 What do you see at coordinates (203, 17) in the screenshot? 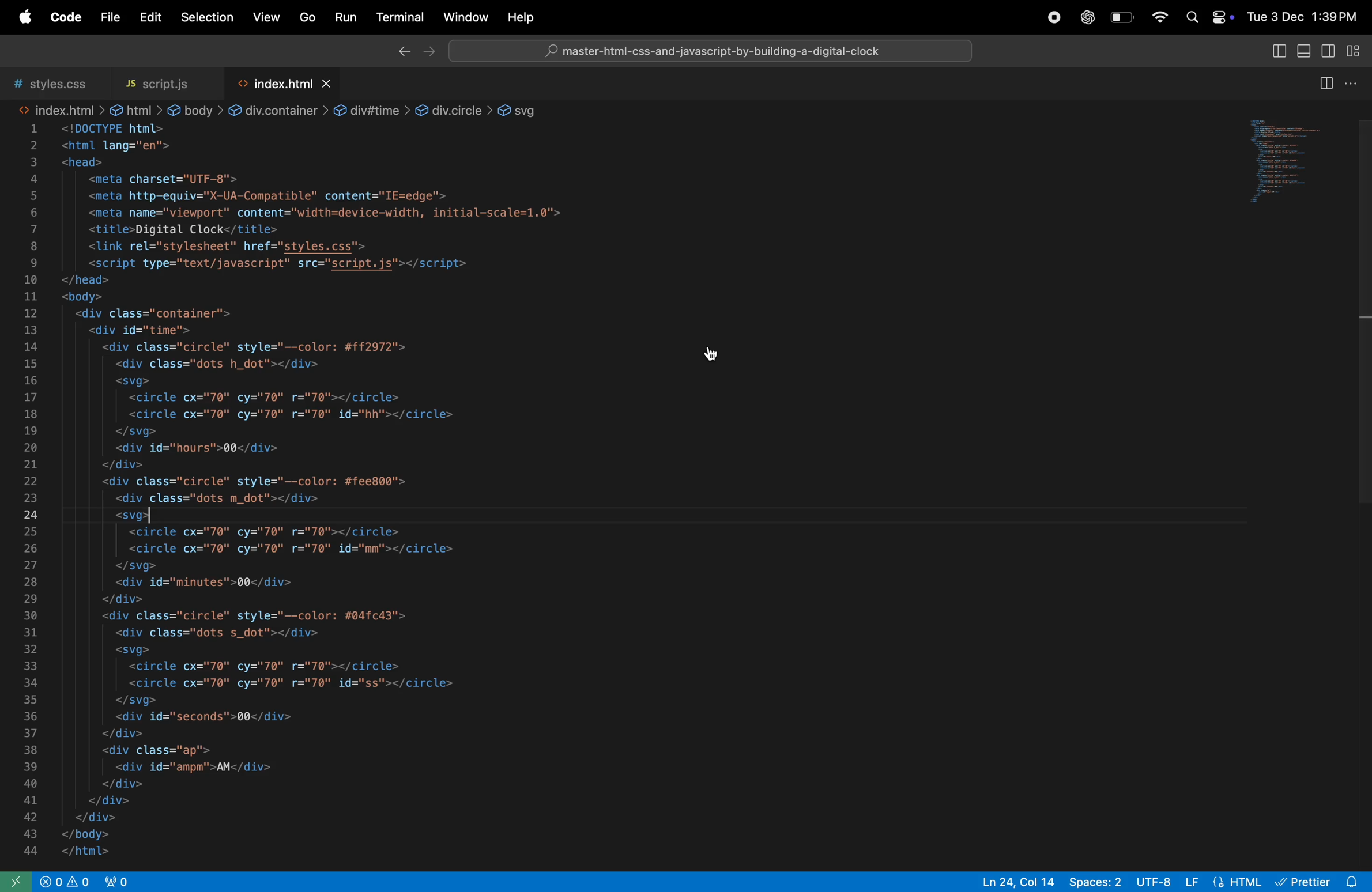
I see `selection` at bounding box center [203, 17].